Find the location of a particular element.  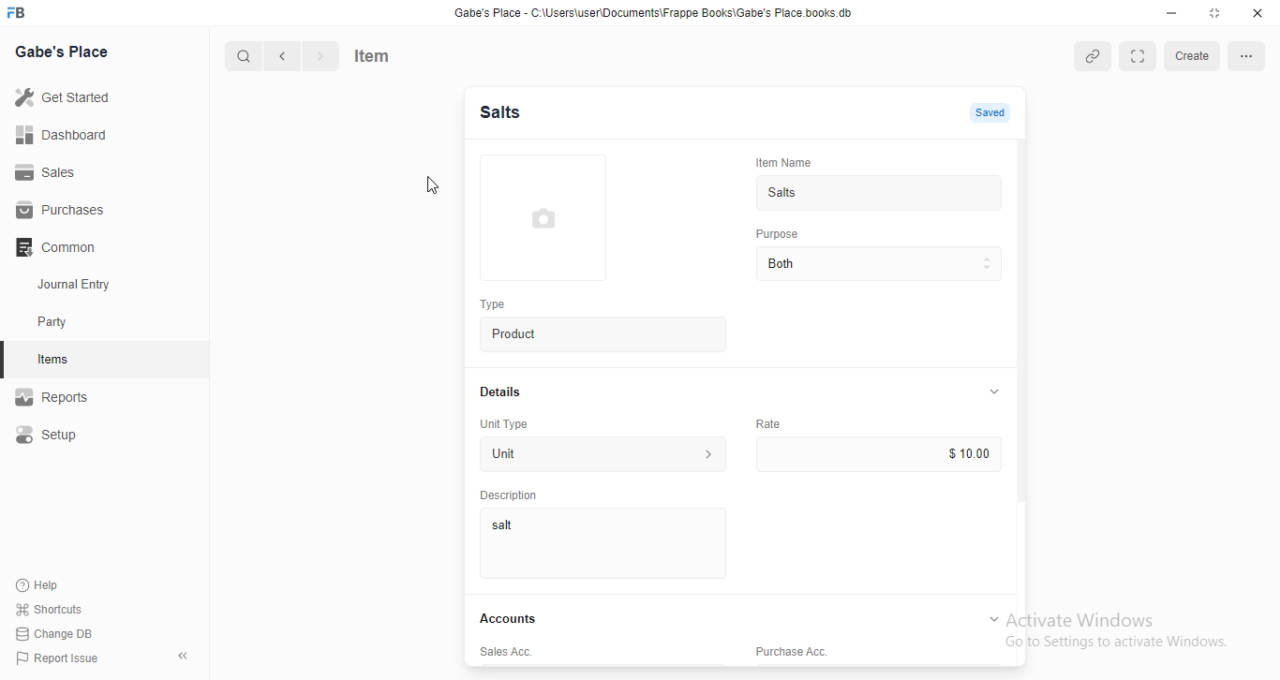

items is located at coordinates (54, 361).